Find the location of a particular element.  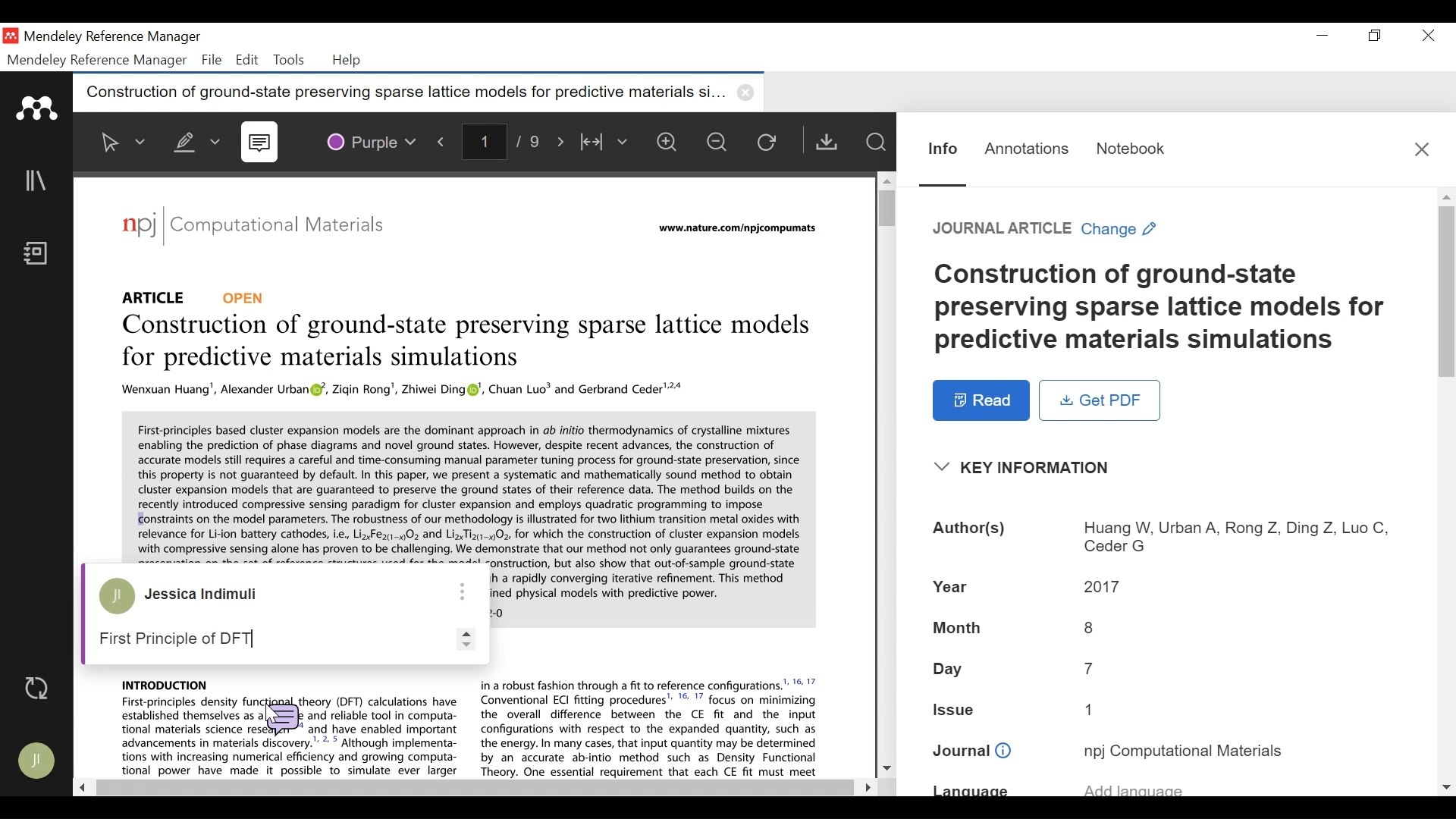

Zoom out is located at coordinates (723, 144).